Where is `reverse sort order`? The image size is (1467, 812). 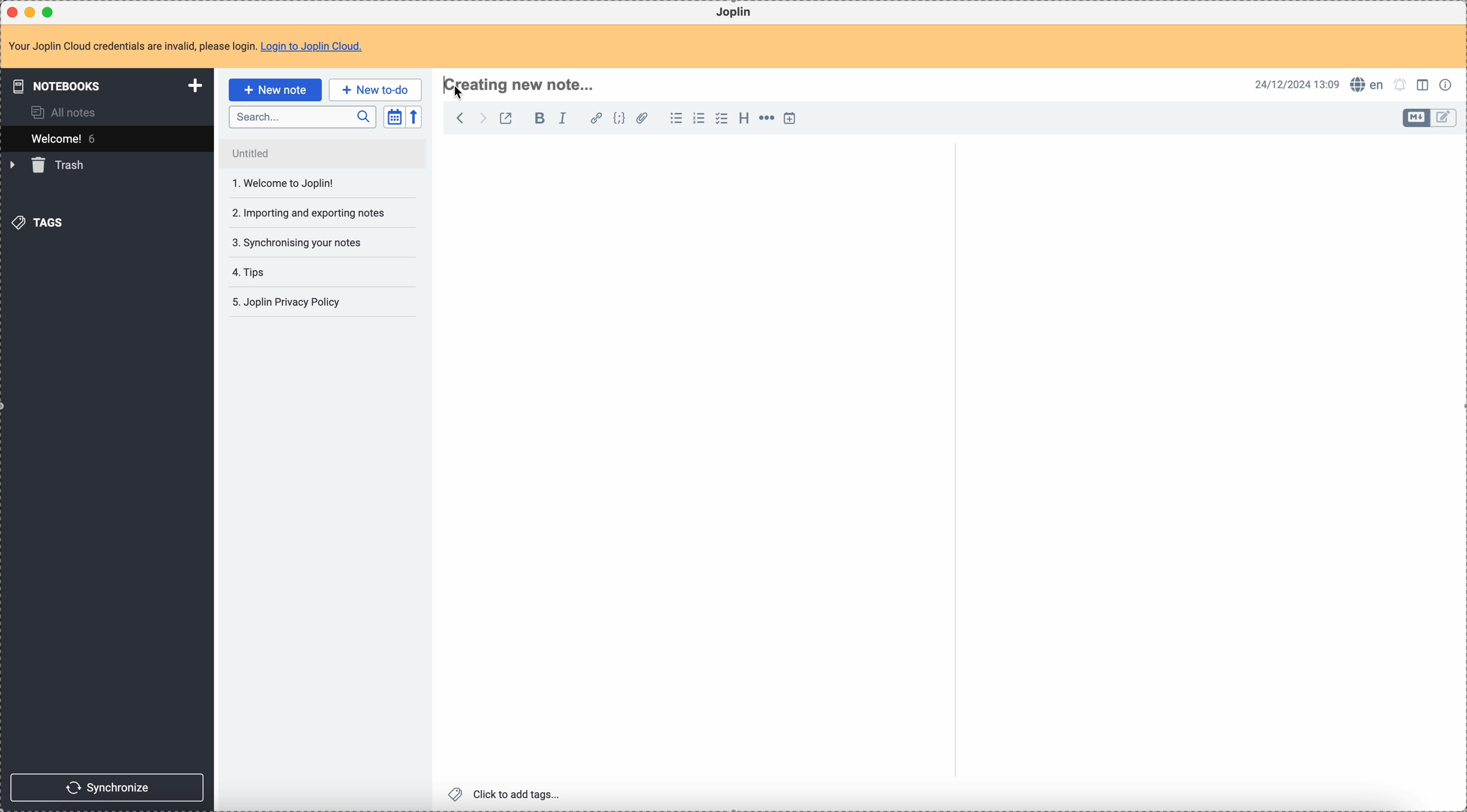 reverse sort order is located at coordinates (416, 117).